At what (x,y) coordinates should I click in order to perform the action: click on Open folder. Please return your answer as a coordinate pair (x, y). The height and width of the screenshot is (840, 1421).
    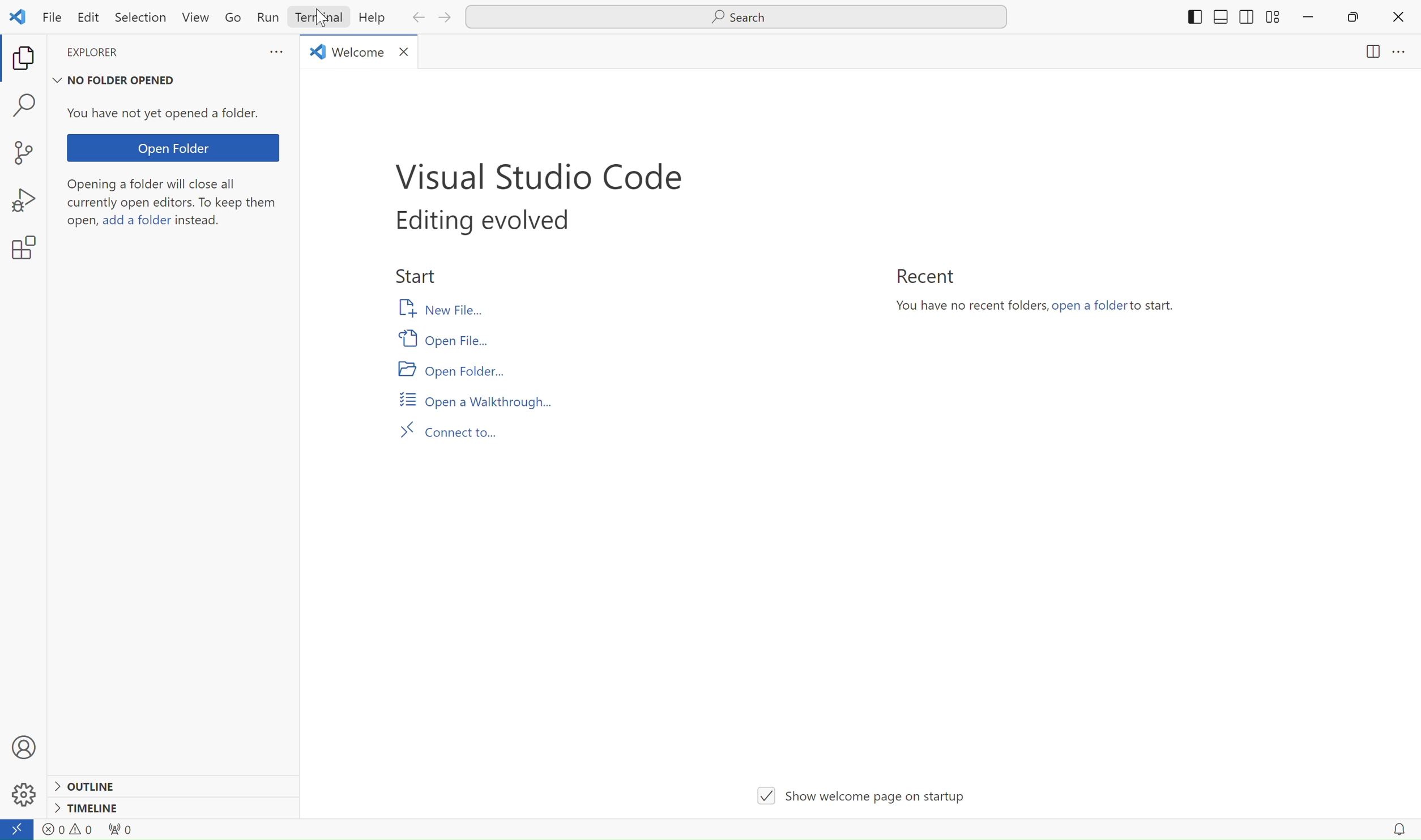
    Looking at the image, I should click on (176, 148).